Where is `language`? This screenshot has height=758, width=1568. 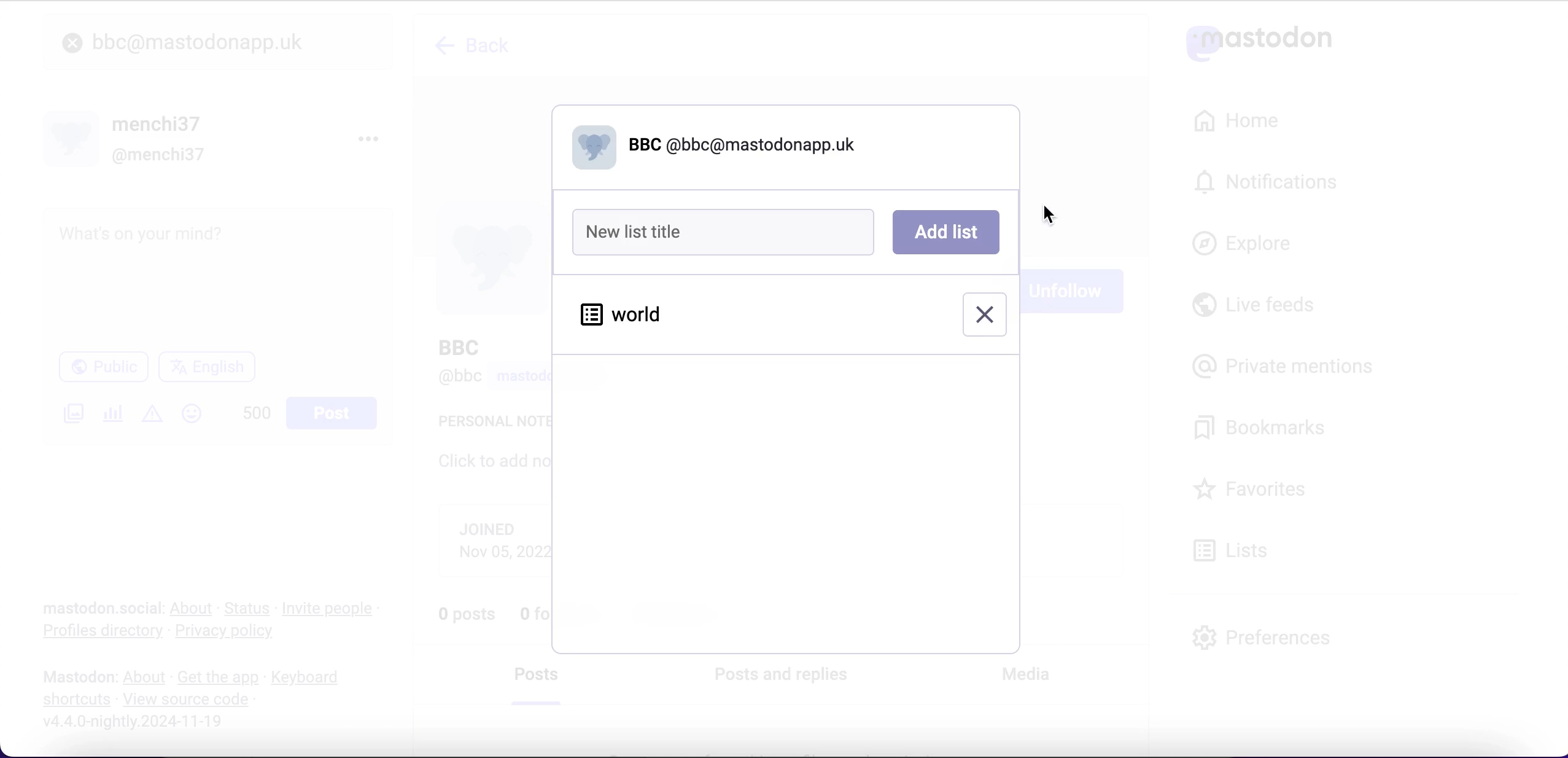
language is located at coordinates (212, 372).